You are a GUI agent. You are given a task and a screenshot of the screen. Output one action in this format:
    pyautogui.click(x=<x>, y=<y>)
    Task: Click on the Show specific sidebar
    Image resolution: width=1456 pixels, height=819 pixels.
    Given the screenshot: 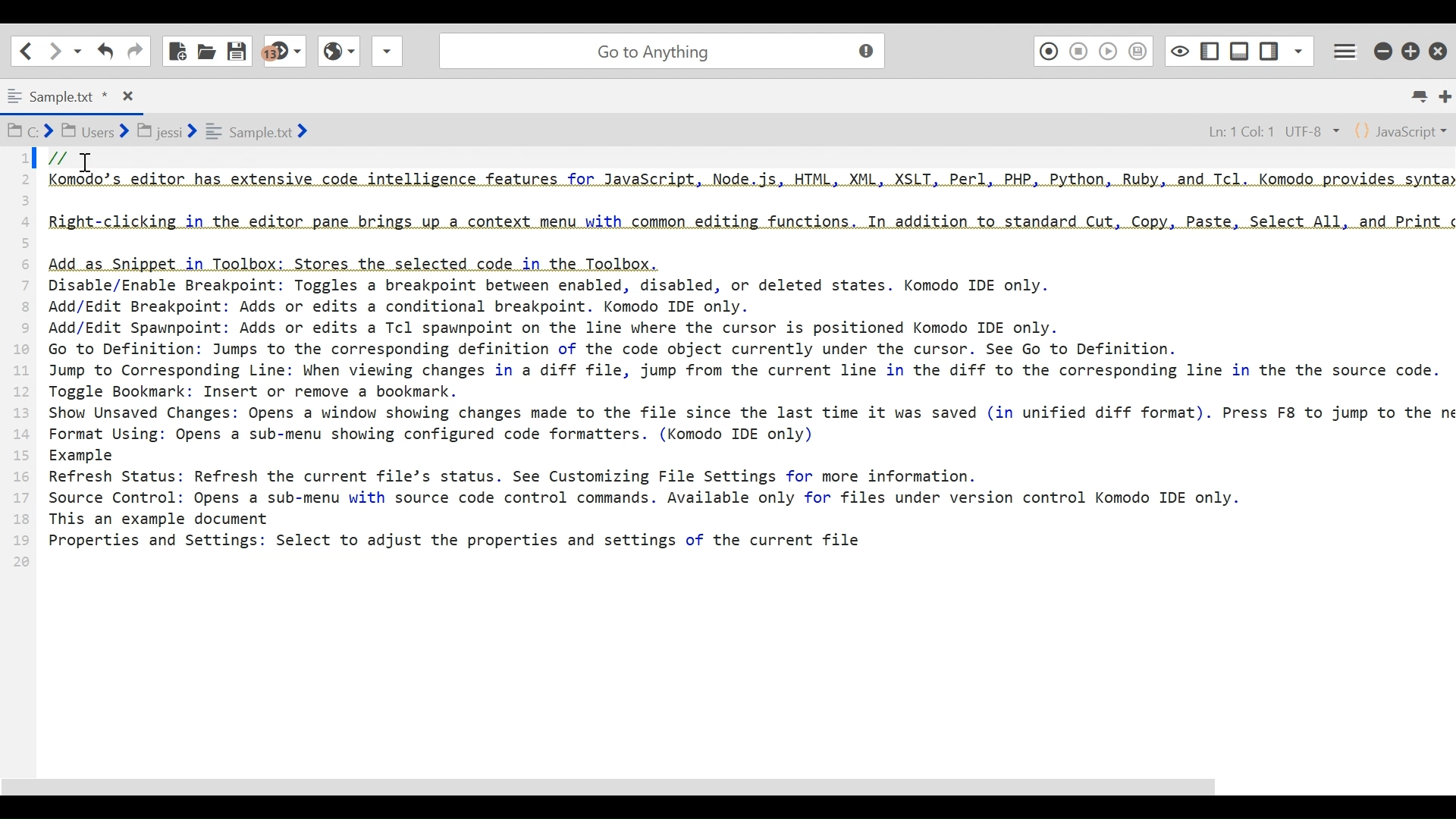 What is the action you would take?
    pyautogui.click(x=1298, y=49)
    